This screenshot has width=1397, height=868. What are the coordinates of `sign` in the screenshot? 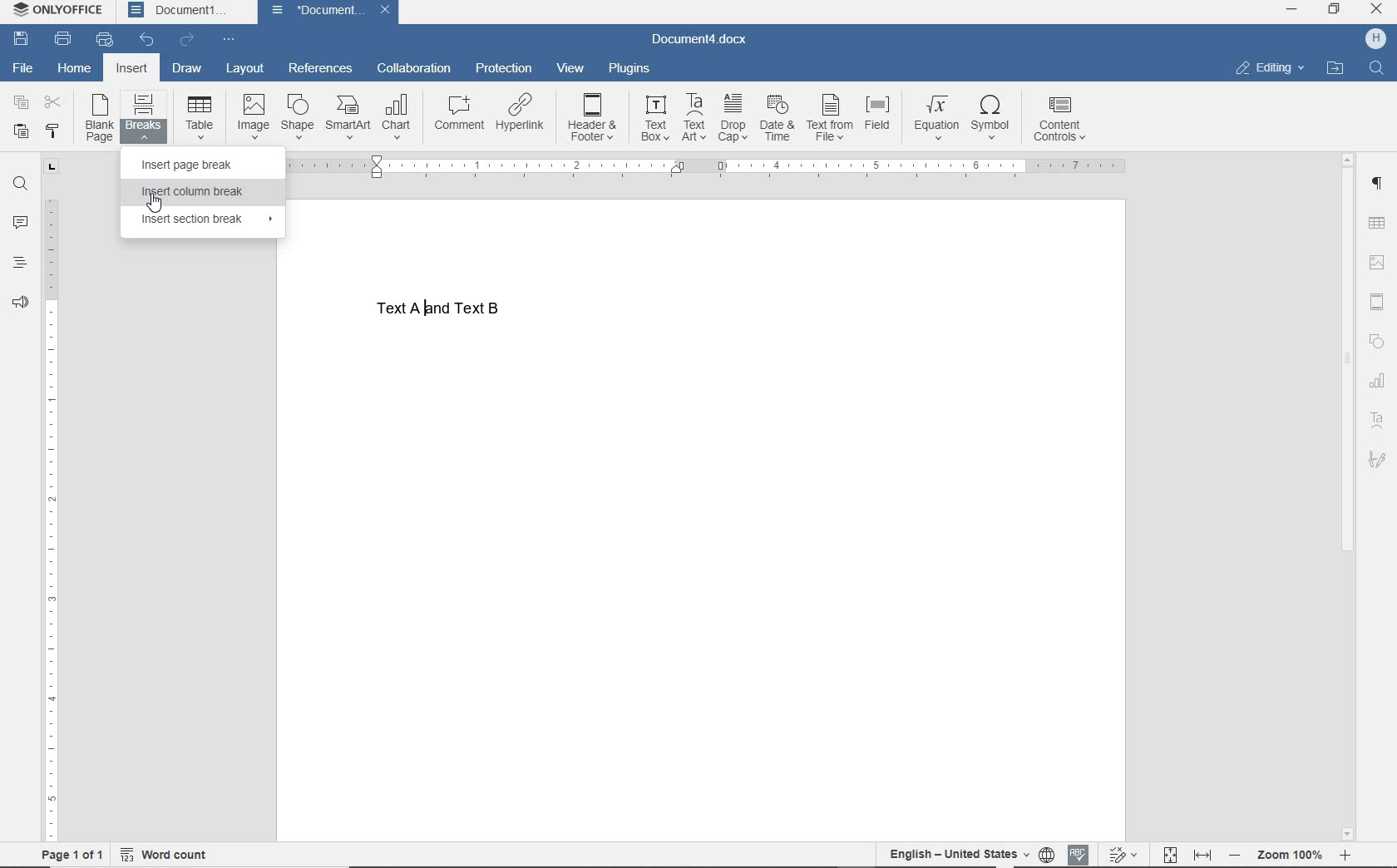 It's located at (1377, 459).